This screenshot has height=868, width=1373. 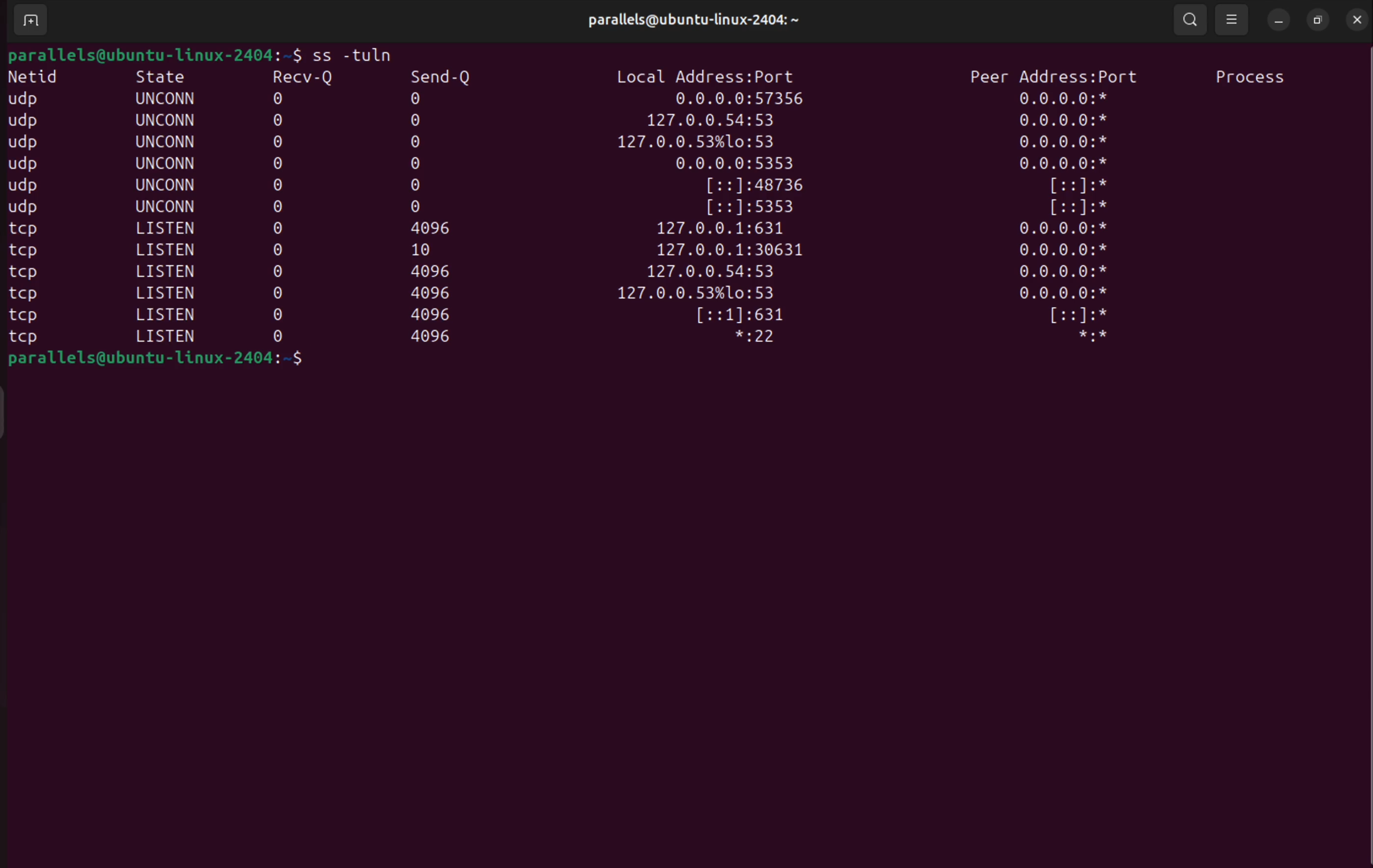 I want to click on 4096, so click(x=436, y=336).